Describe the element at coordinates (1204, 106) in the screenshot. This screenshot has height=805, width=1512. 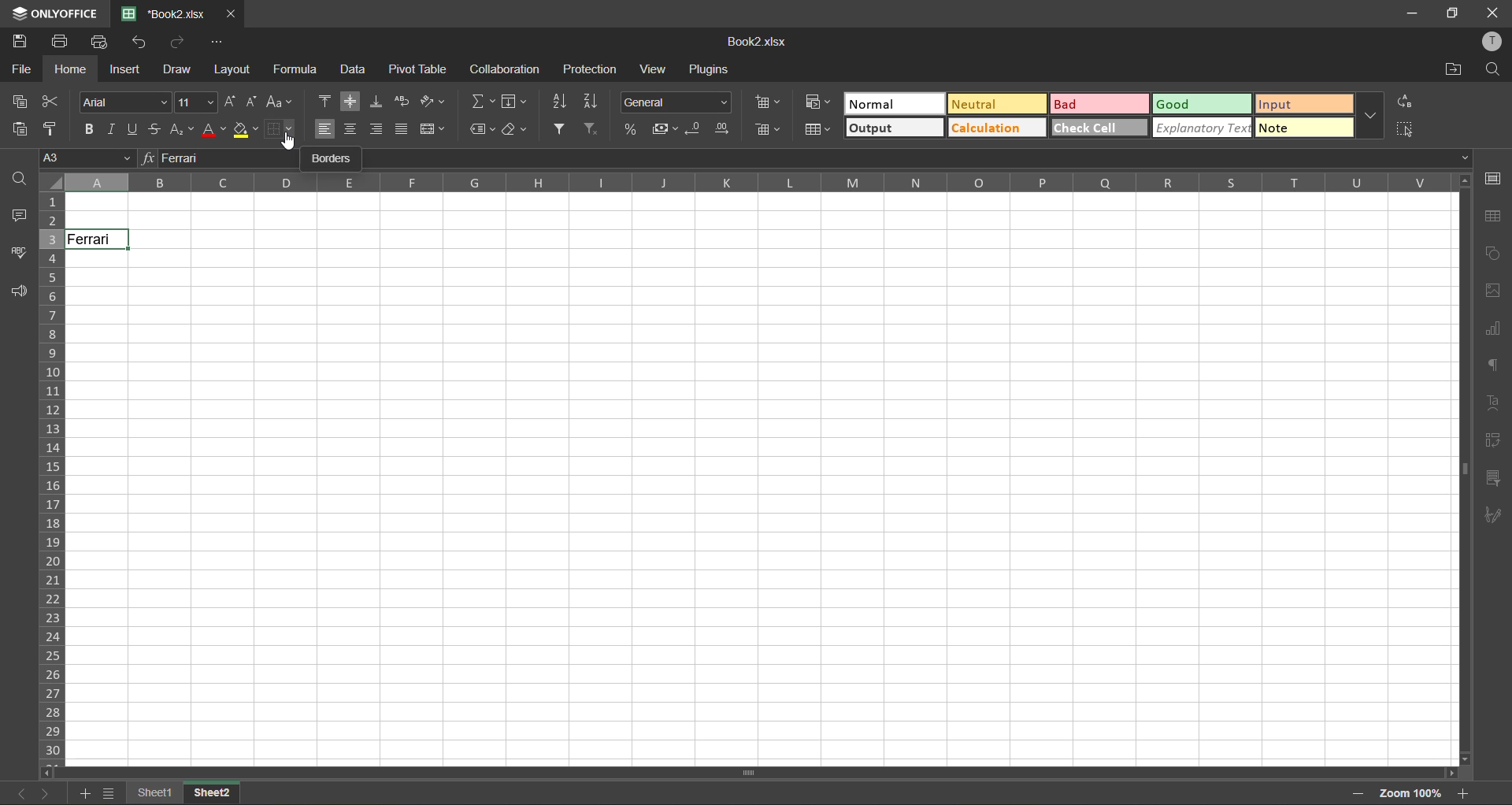
I see `good` at that location.